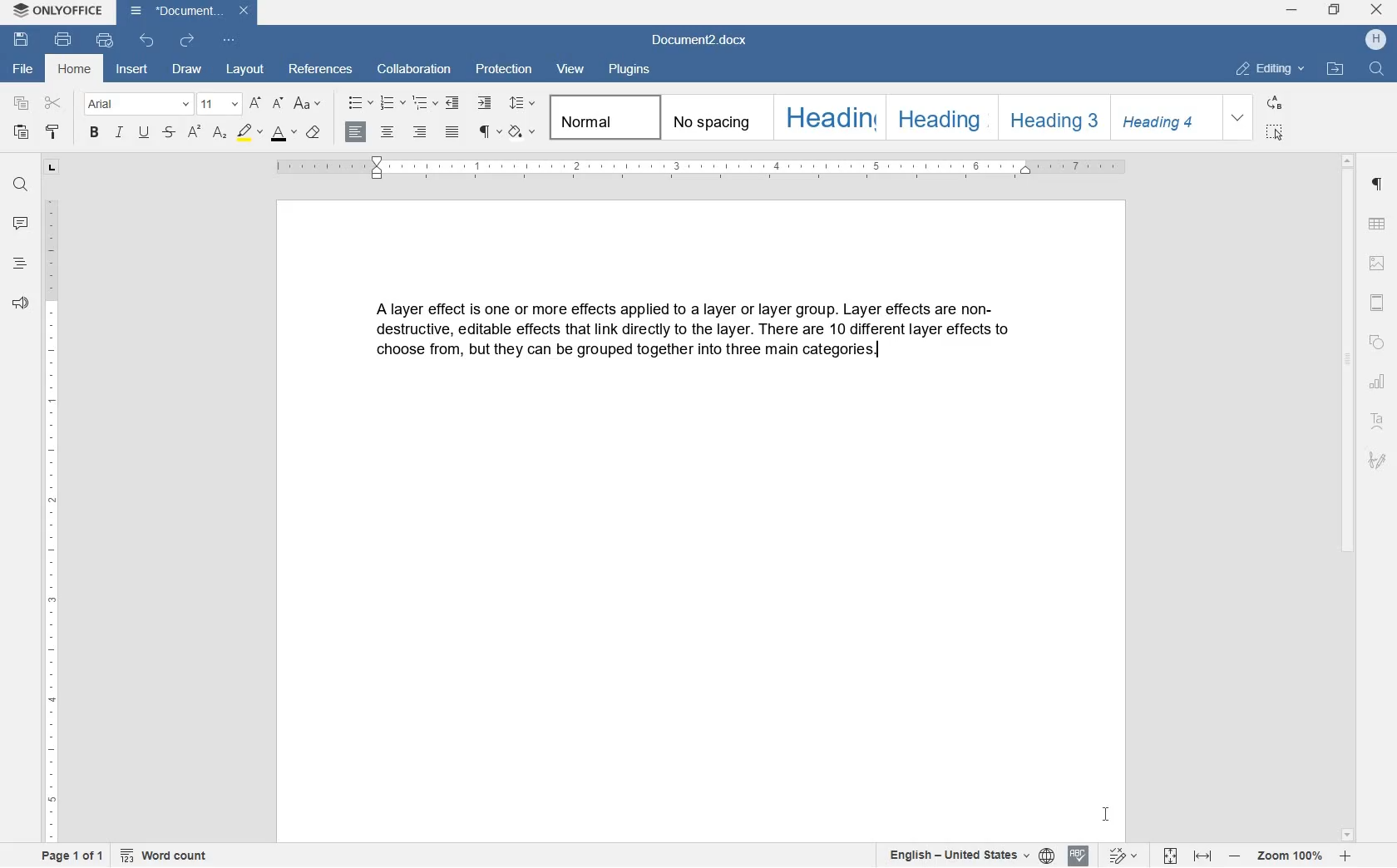  What do you see at coordinates (601, 117) in the screenshot?
I see `NORMAL` at bounding box center [601, 117].